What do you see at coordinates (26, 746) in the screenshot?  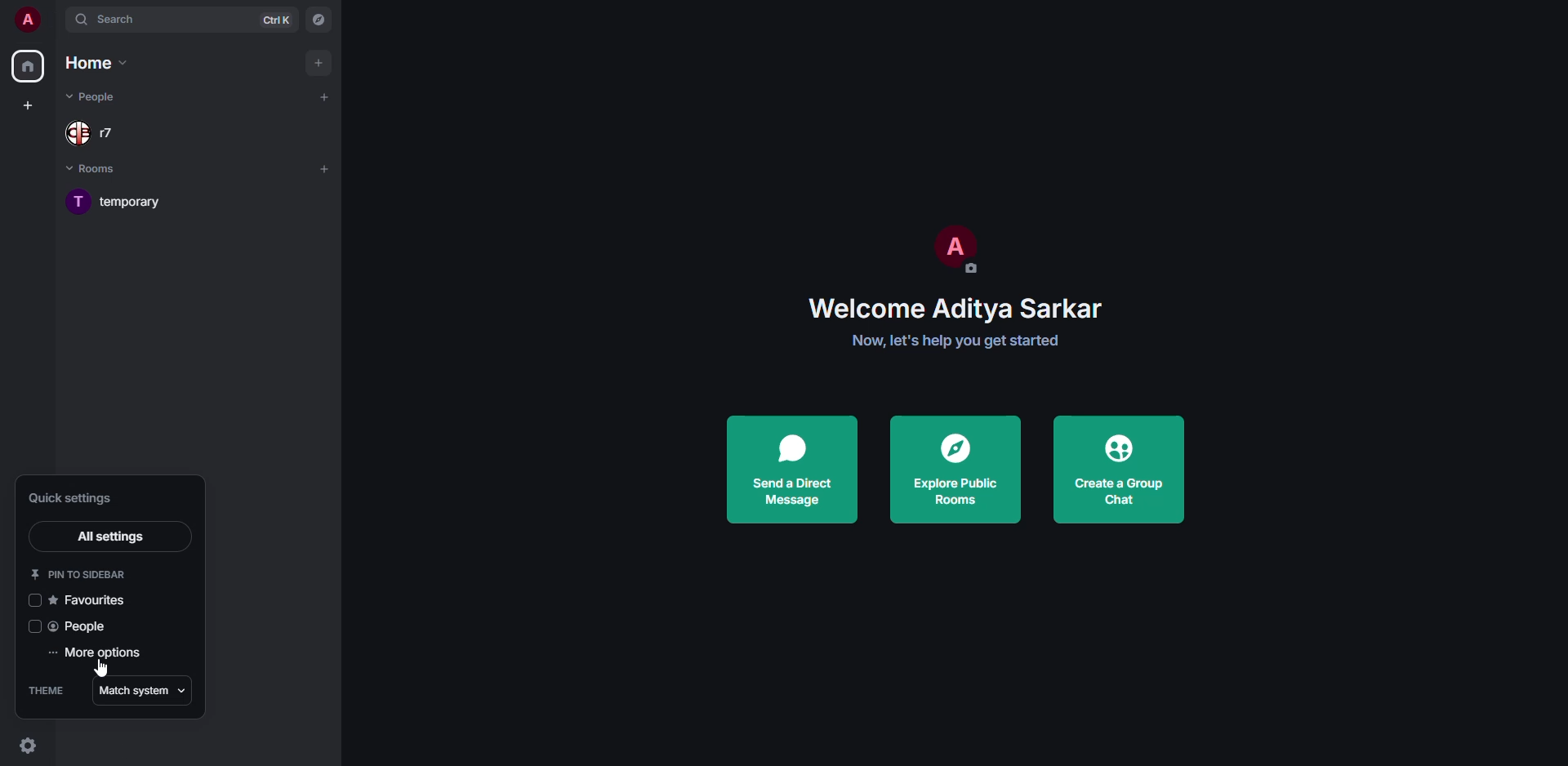 I see `quick settings` at bounding box center [26, 746].